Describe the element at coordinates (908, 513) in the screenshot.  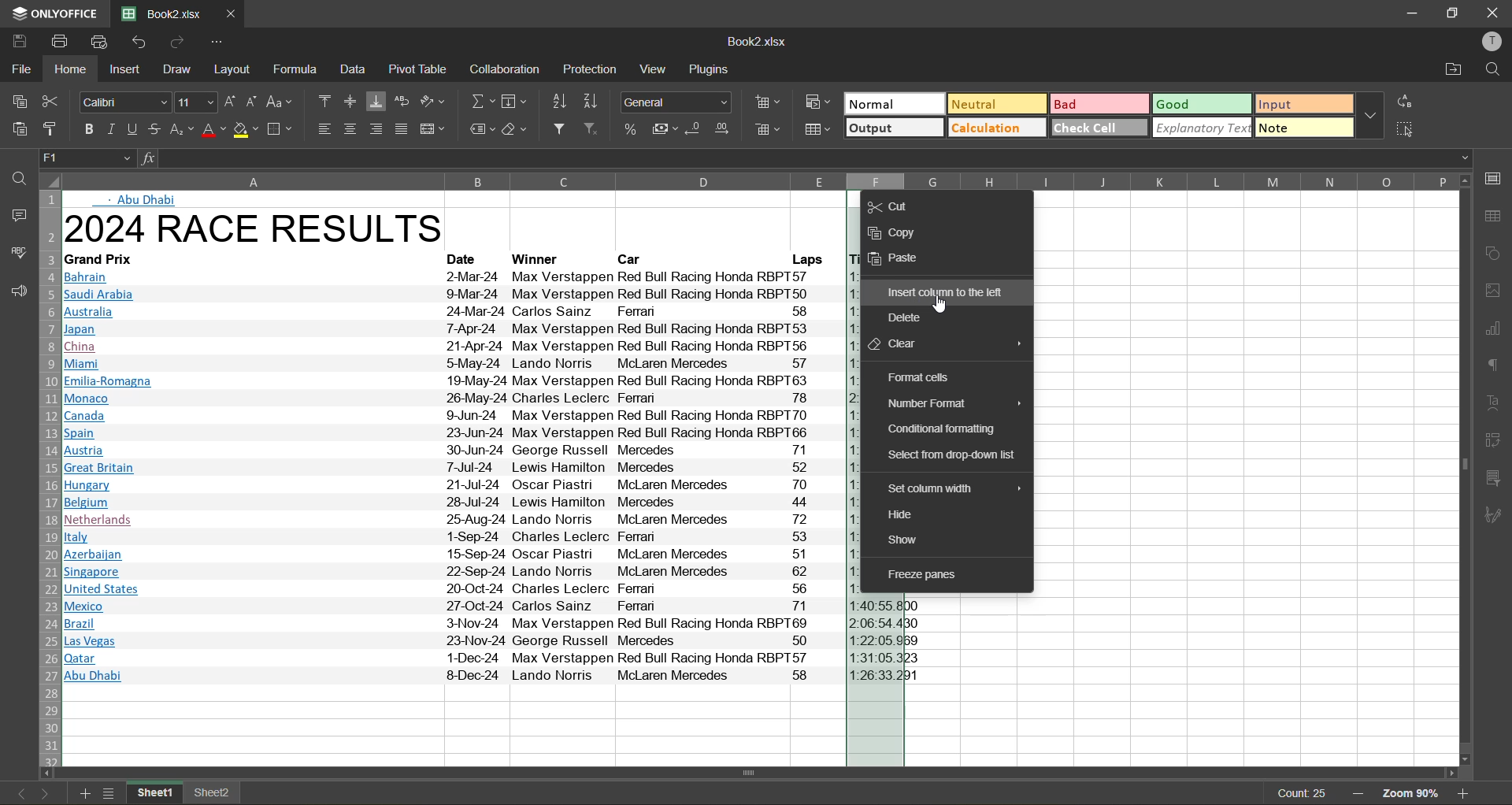
I see `hide` at that location.